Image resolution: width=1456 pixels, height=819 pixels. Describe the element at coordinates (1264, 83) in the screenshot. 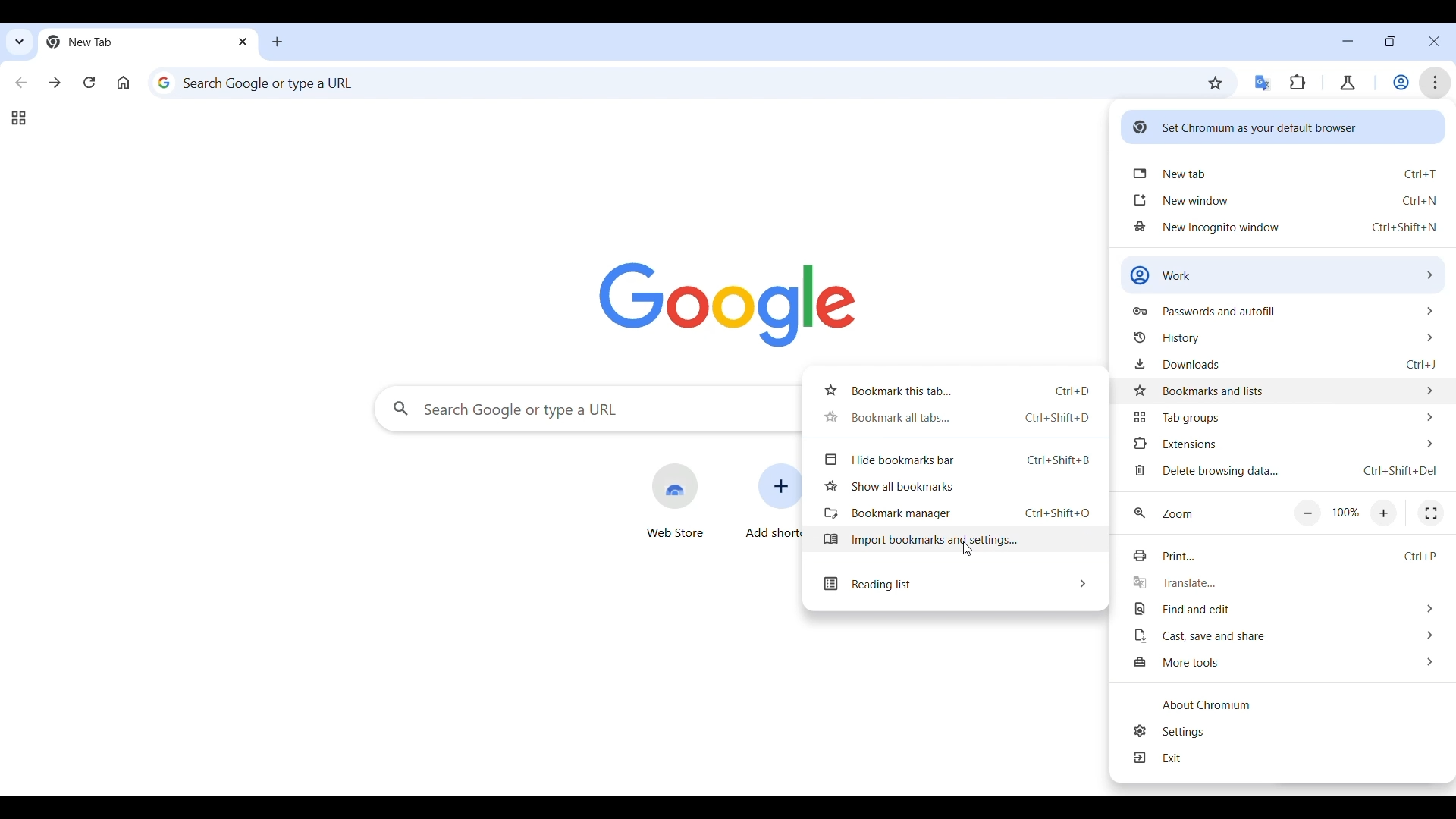

I see `Google translator extension` at that location.